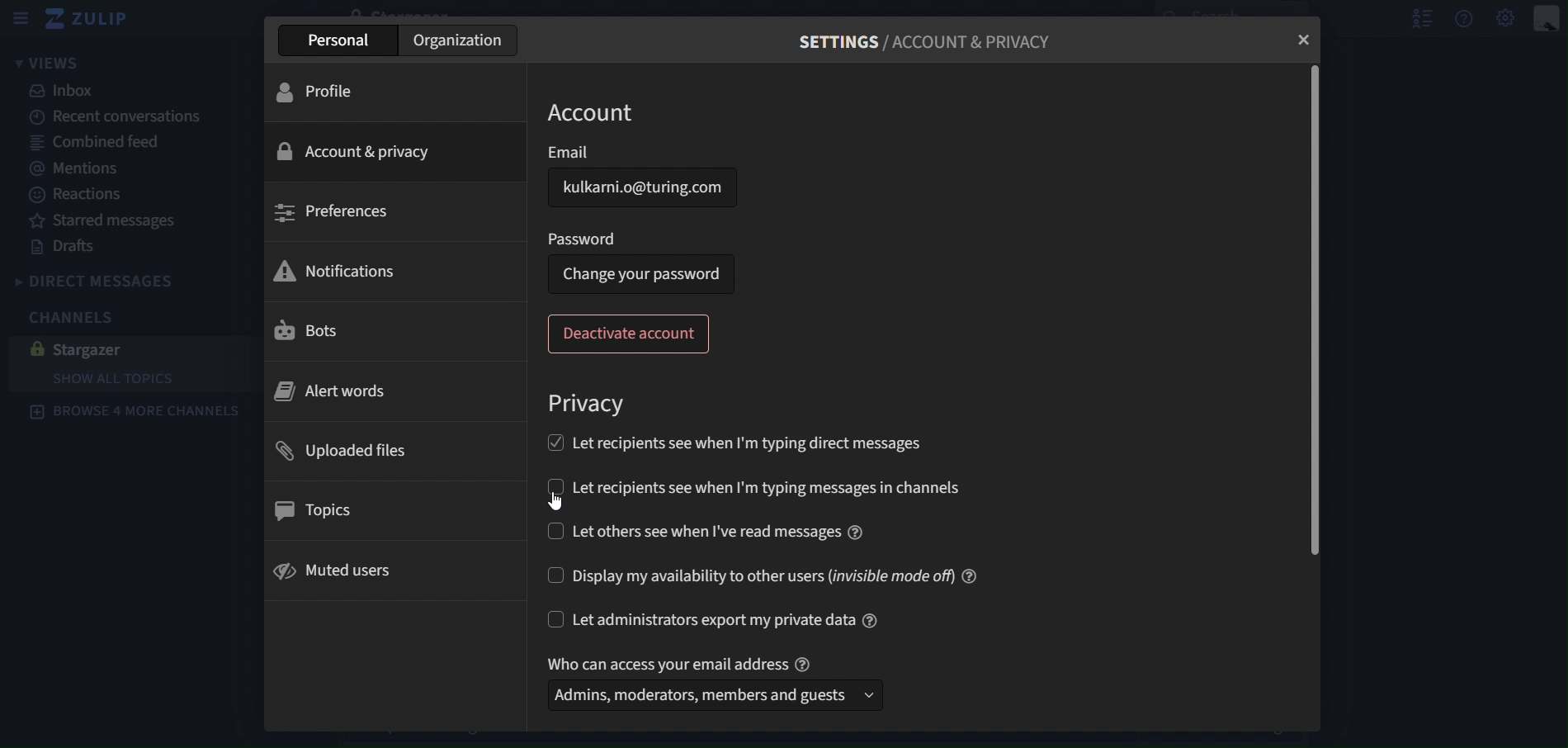 Image resolution: width=1568 pixels, height=748 pixels. What do you see at coordinates (390, 152) in the screenshot?
I see `account & privacy` at bounding box center [390, 152].